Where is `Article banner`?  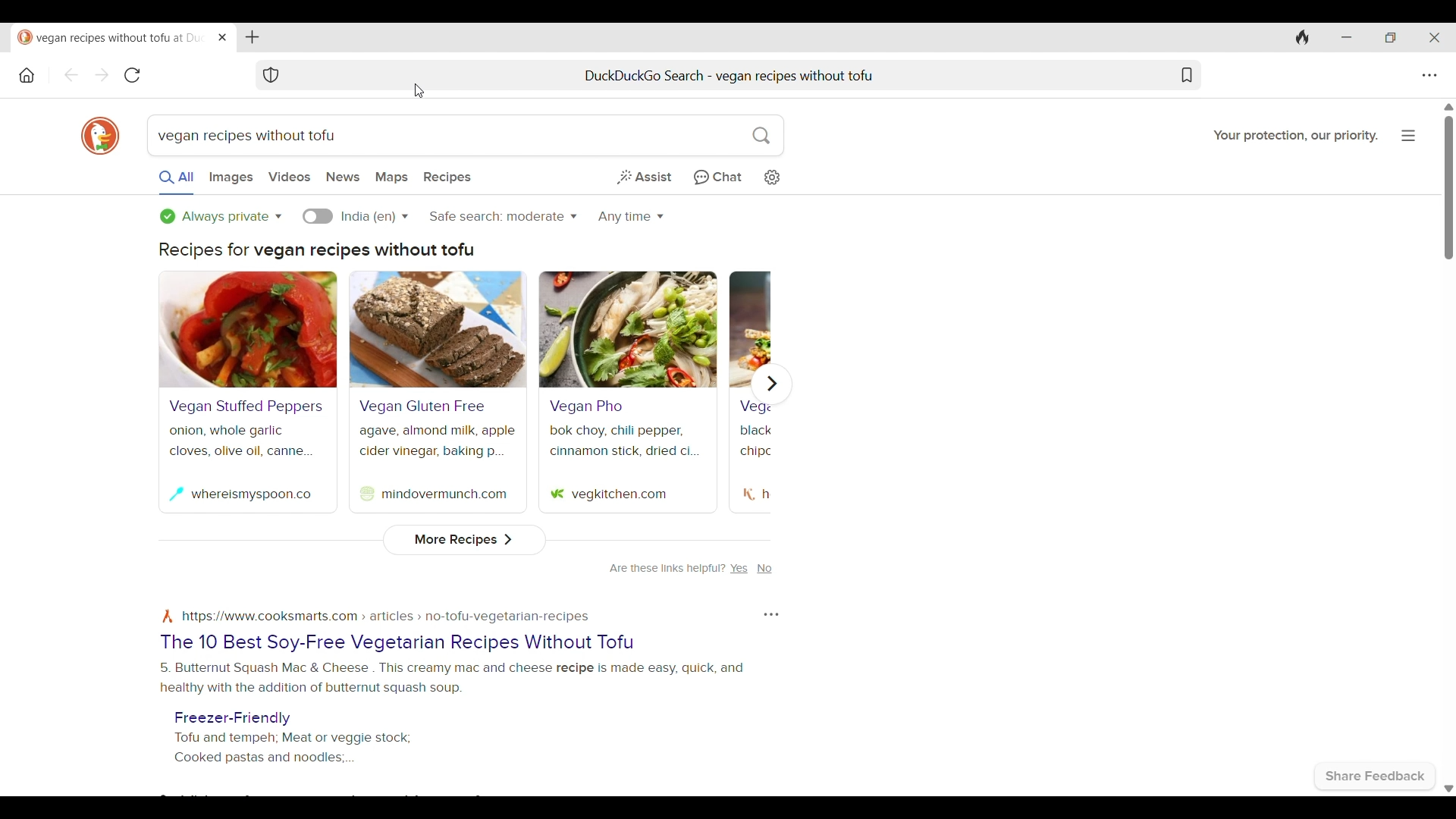
Article banner is located at coordinates (438, 329).